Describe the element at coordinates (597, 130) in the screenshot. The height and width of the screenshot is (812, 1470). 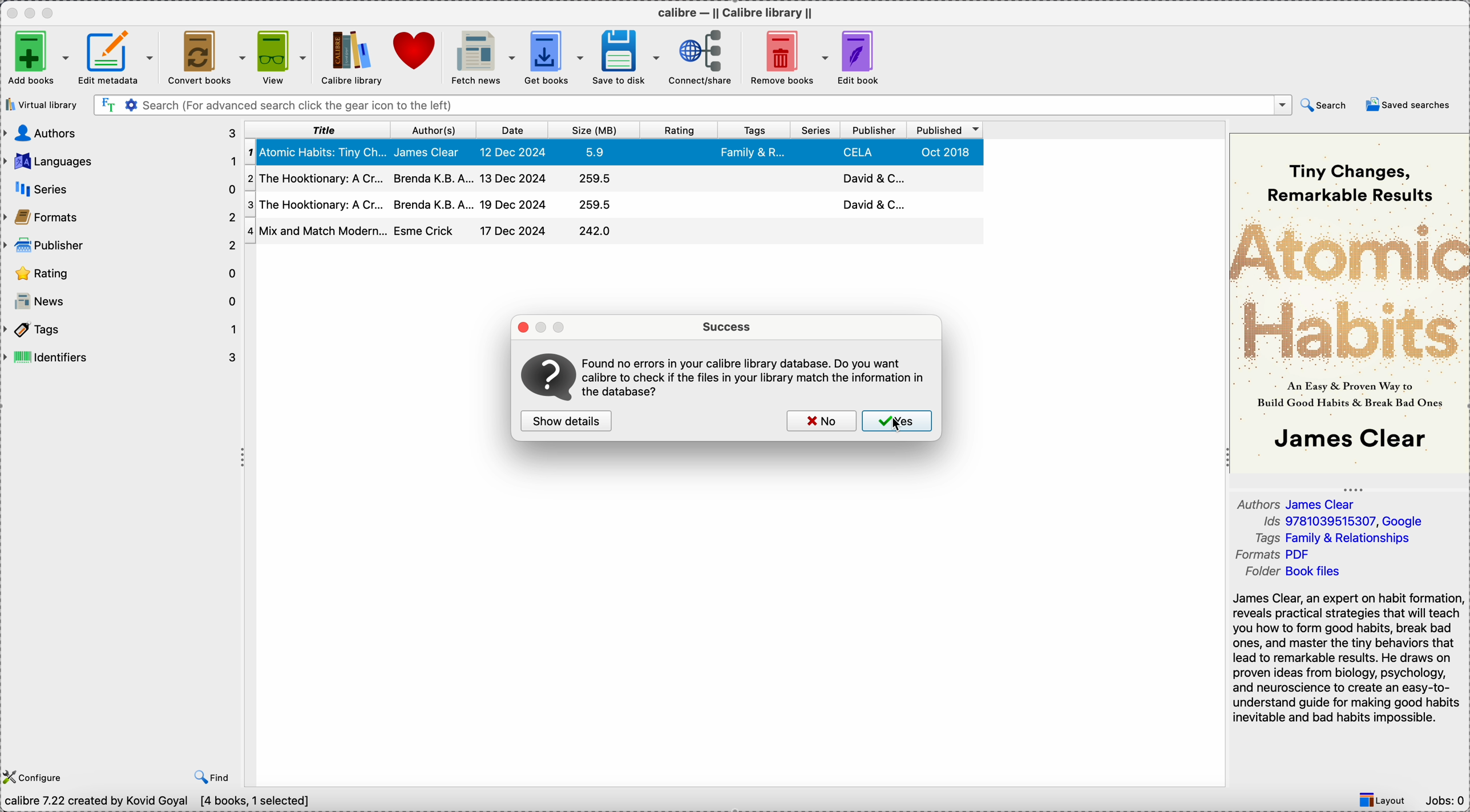
I see `size` at that location.